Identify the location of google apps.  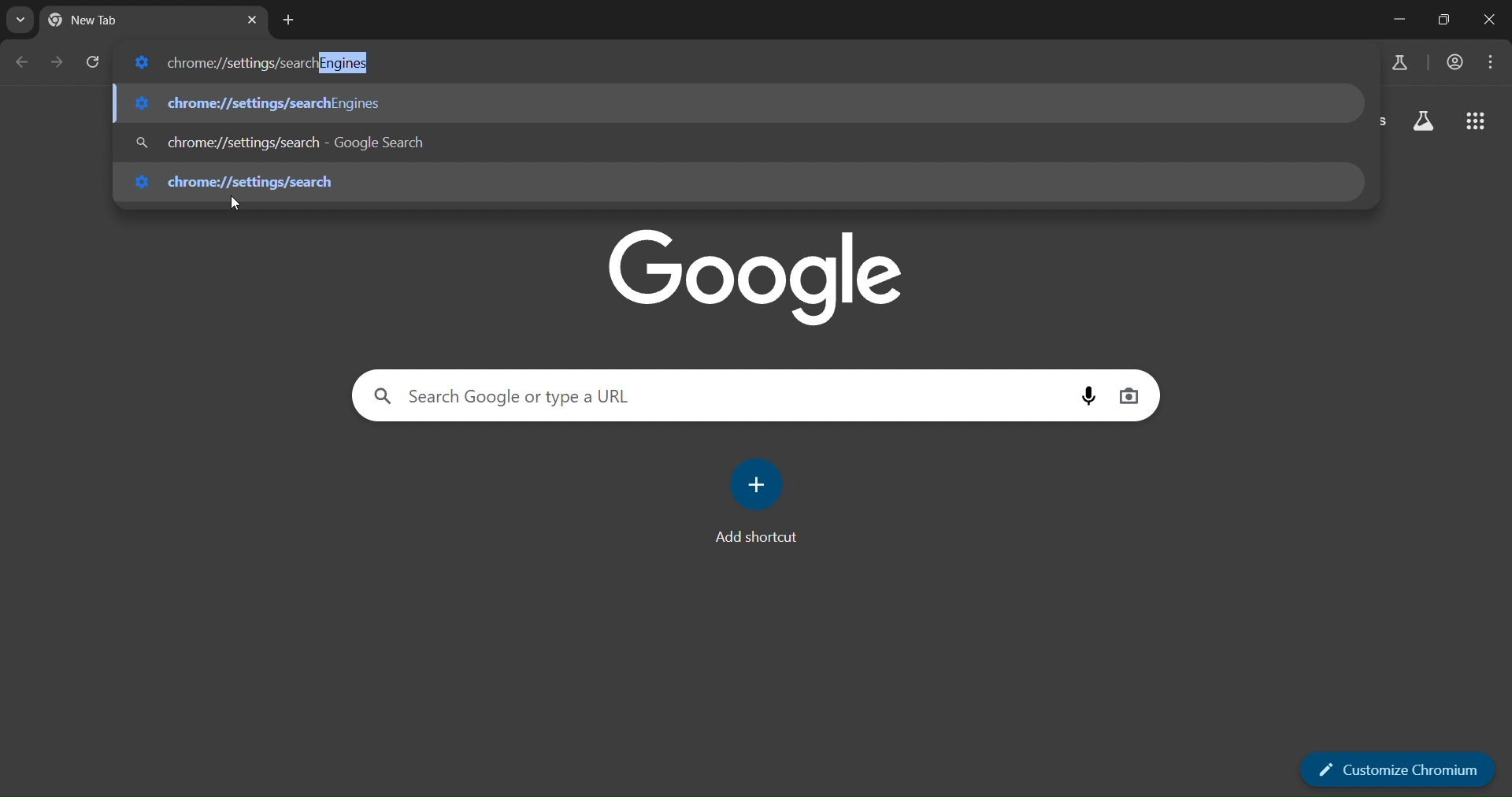
(1476, 120).